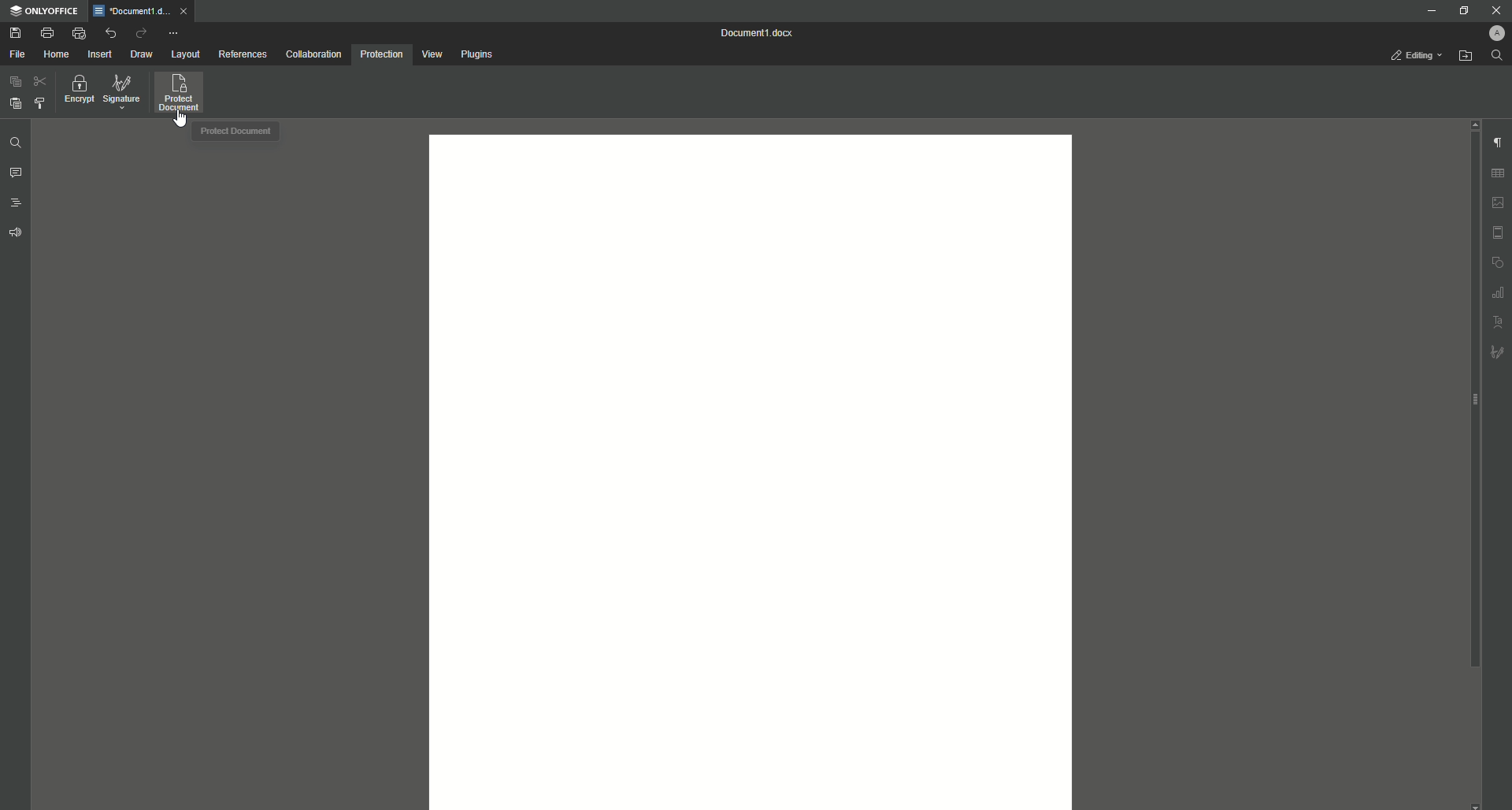 The image size is (1512, 810). I want to click on Protection, so click(381, 55).